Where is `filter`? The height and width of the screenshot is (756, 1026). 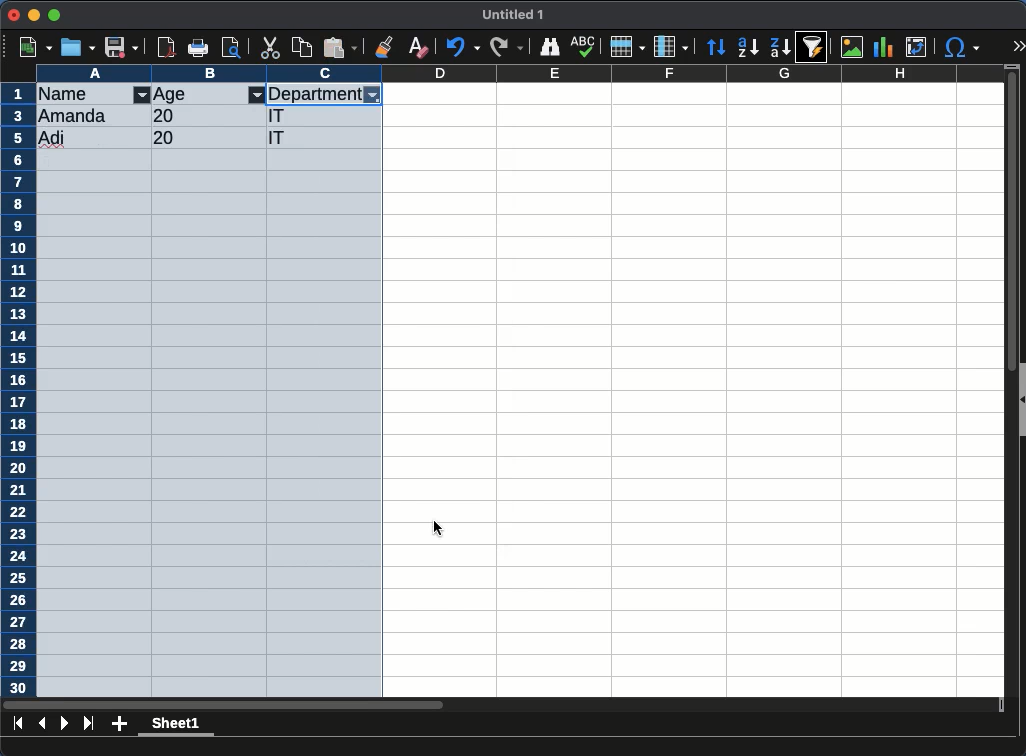
filter is located at coordinates (142, 96).